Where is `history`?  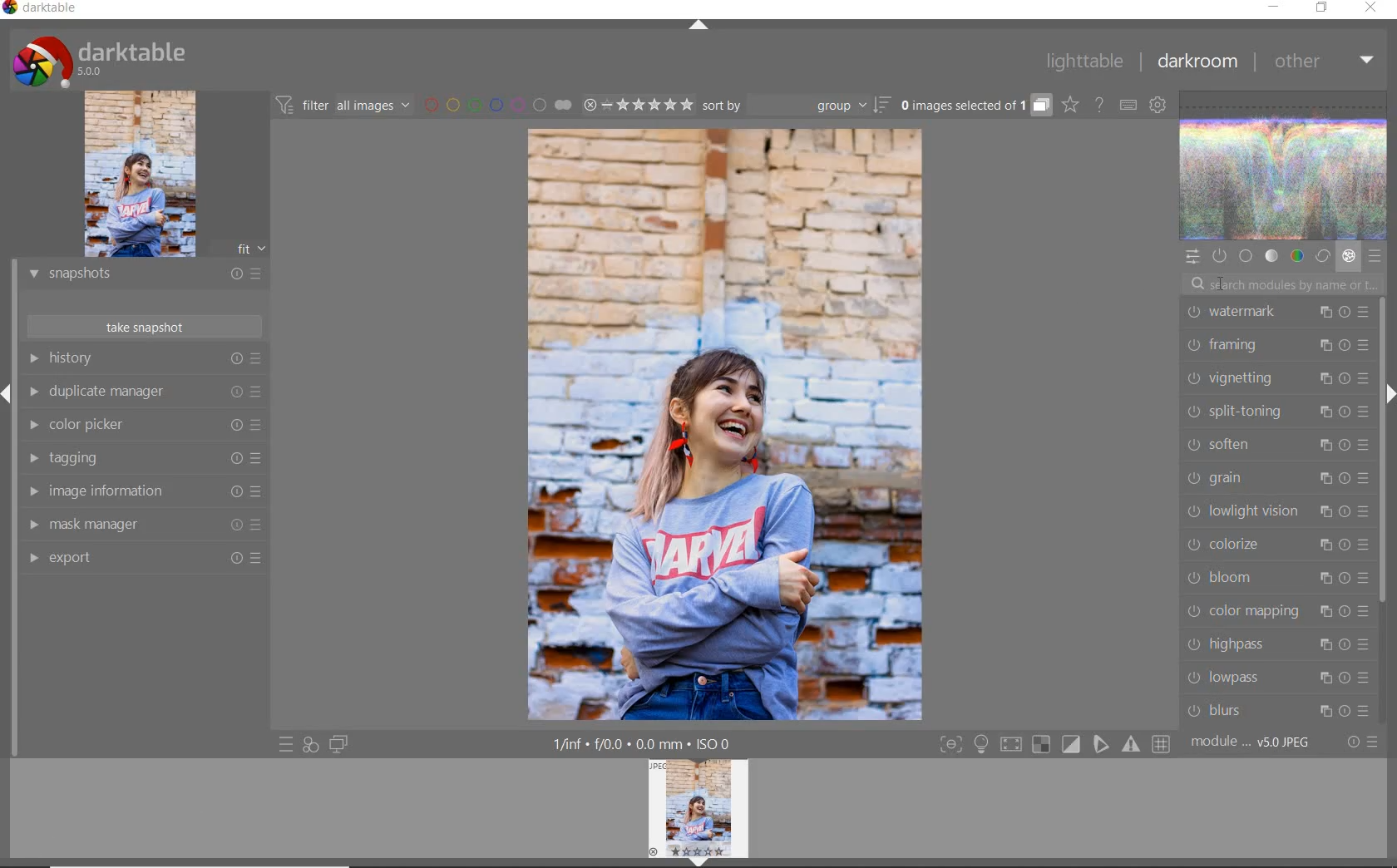
history is located at coordinates (150, 359).